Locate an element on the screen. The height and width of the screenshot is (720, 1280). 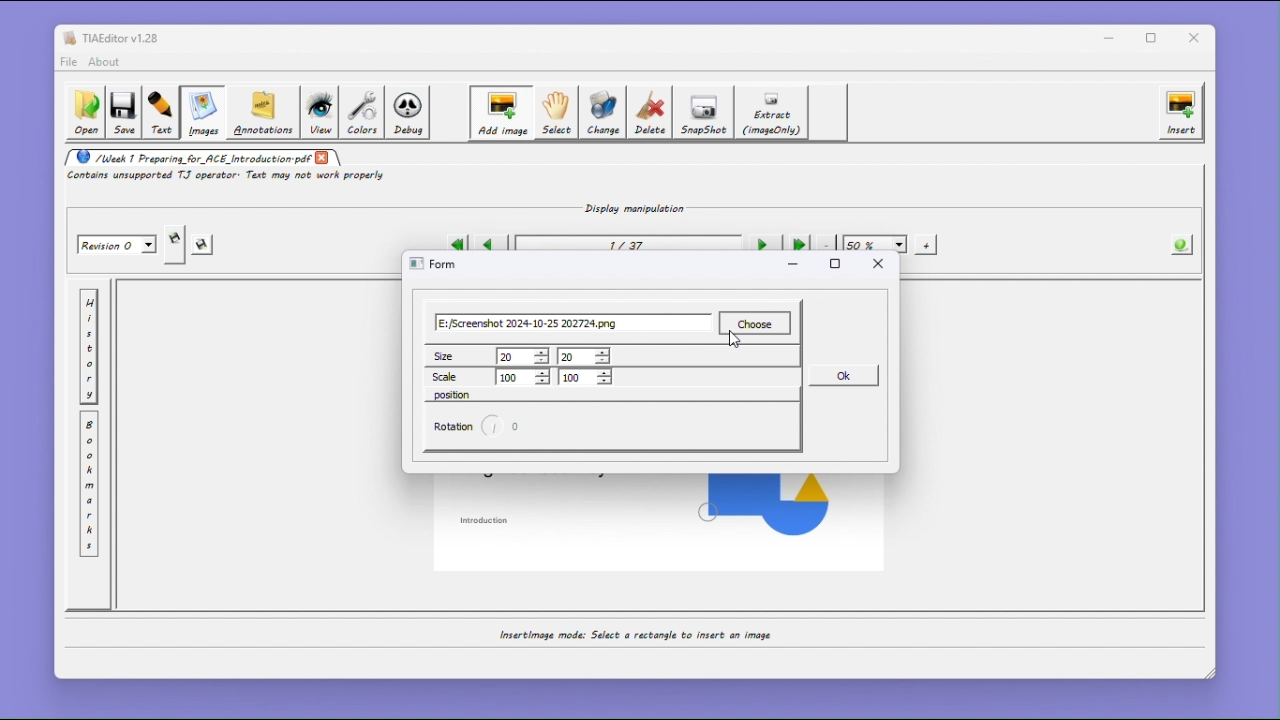
100 is located at coordinates (523, 377).